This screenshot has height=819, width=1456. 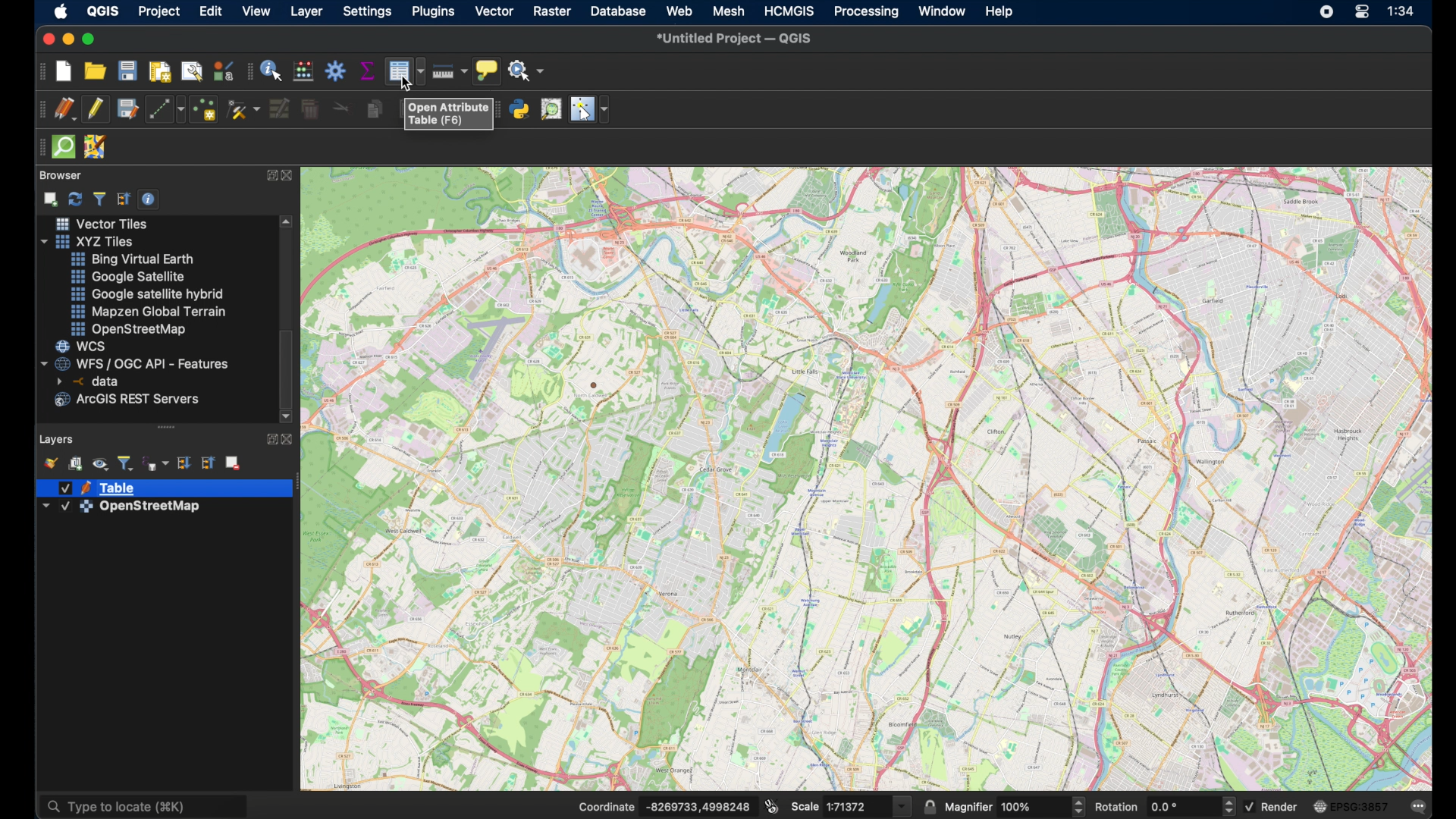 I want to click on new project, so click(x=63, y=72).